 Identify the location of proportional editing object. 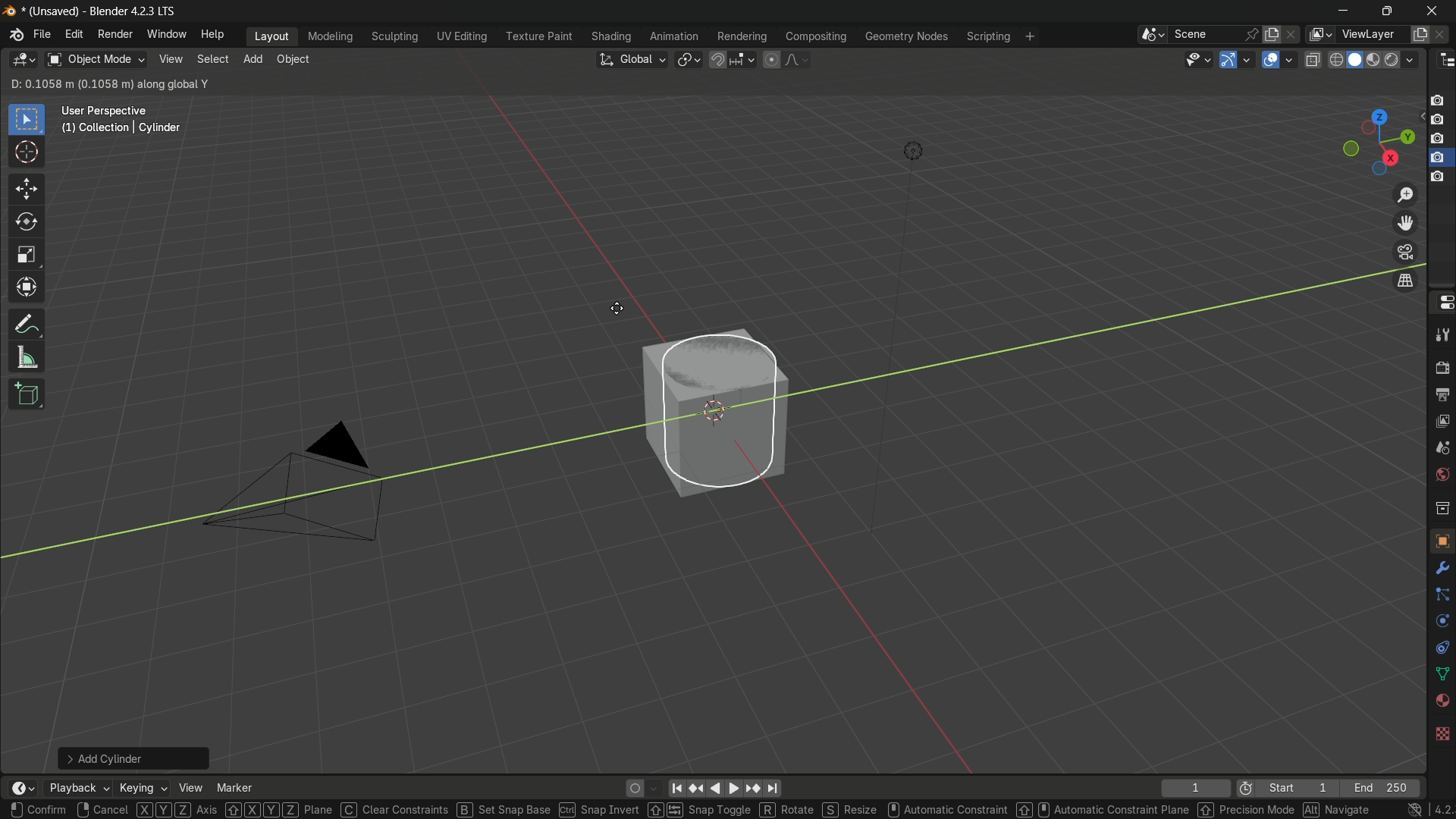
(771, 60).